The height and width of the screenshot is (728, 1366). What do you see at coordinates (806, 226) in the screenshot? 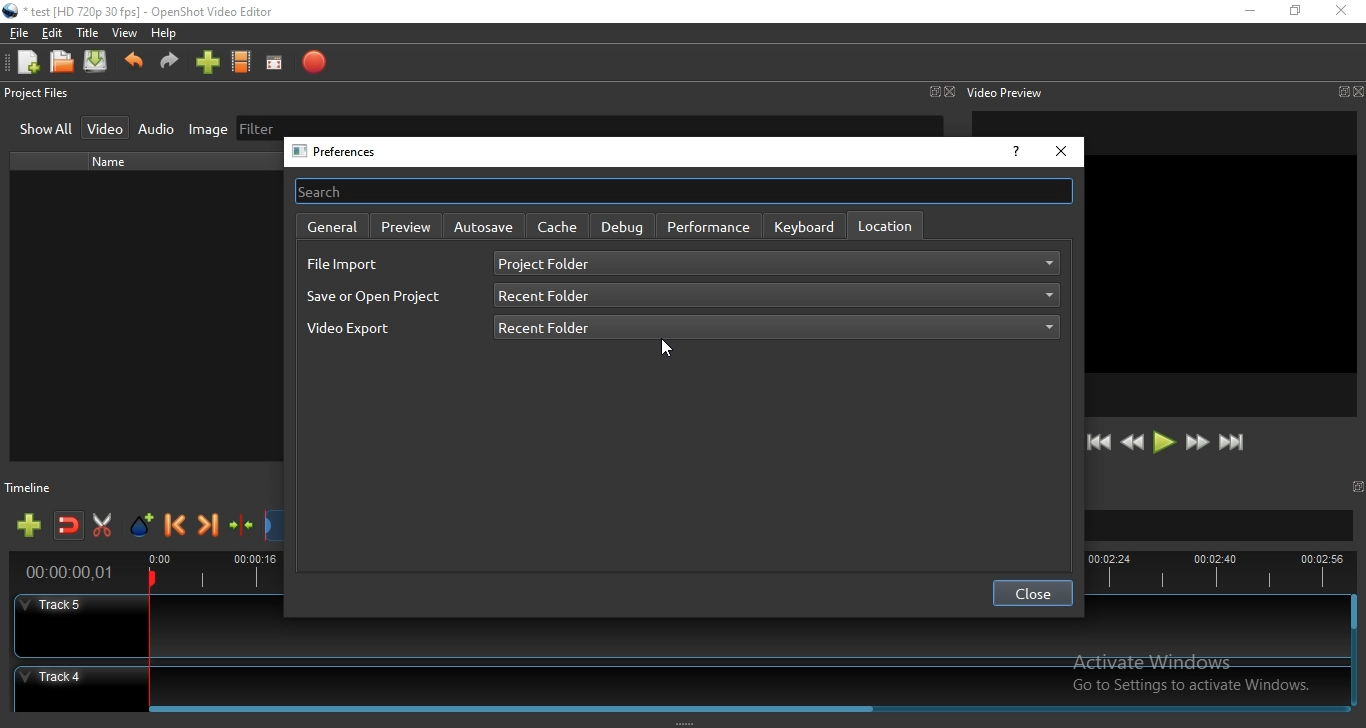
I see `keyboard` at bounding box center [806, 226].